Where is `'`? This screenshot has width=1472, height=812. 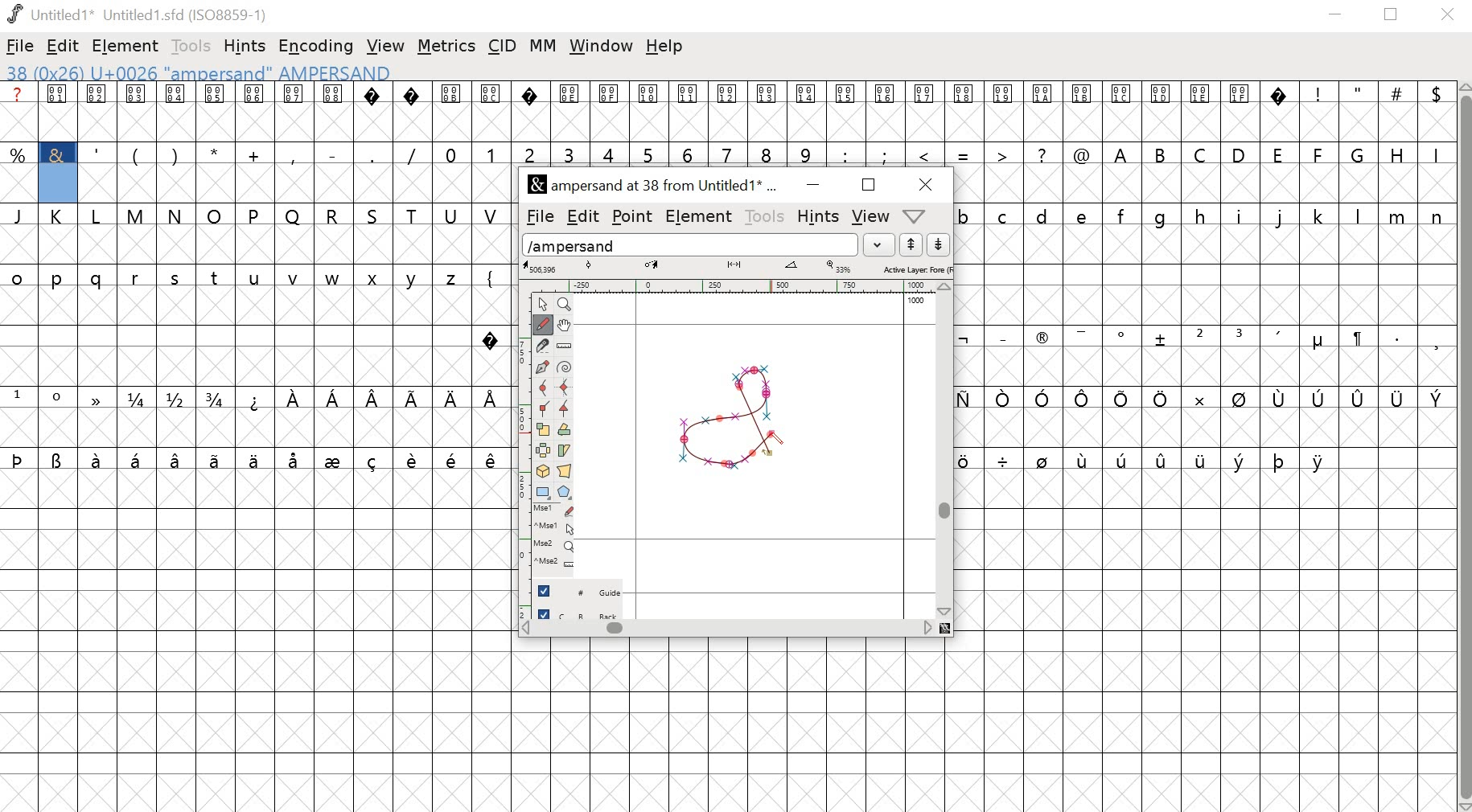 ' is located at coordinates (1281, 338).